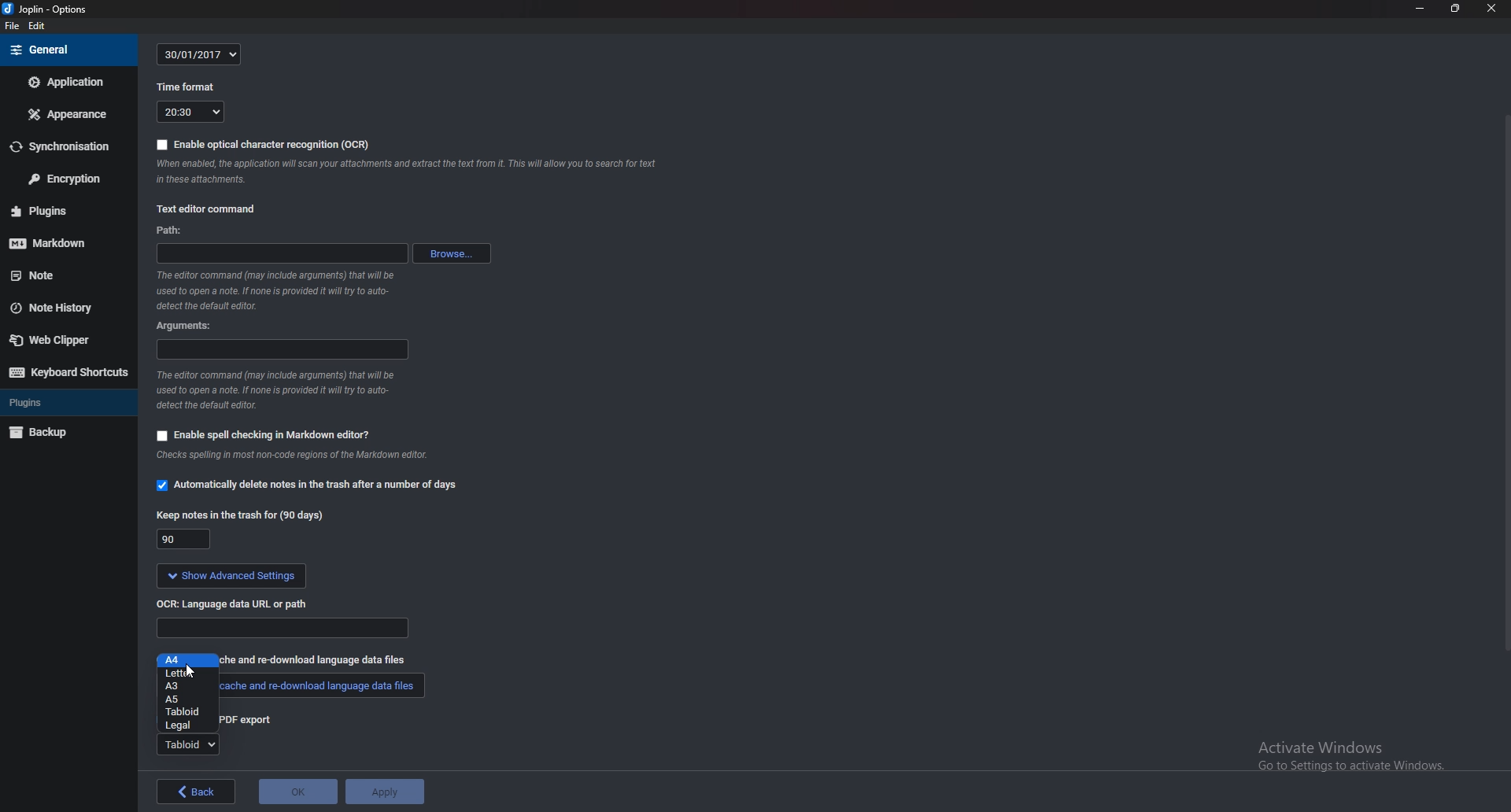 Image resolution: width=1511 pixels, height=812 pixels. I want to click on joplin - options, so click(50, 10).